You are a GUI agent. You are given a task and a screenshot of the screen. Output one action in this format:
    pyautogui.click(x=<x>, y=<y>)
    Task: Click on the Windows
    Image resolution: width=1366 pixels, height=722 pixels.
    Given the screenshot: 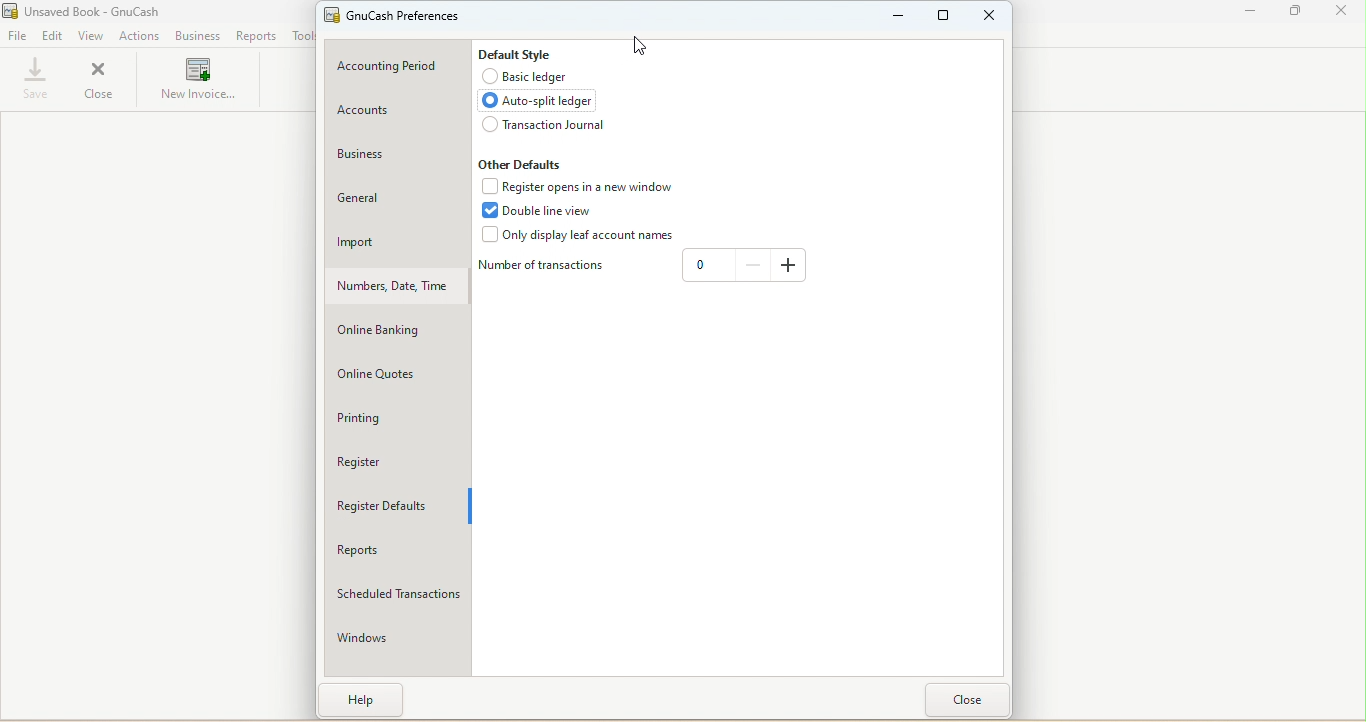 What is the action you would take?
    pyautogui.click(x=397, y=641)
    